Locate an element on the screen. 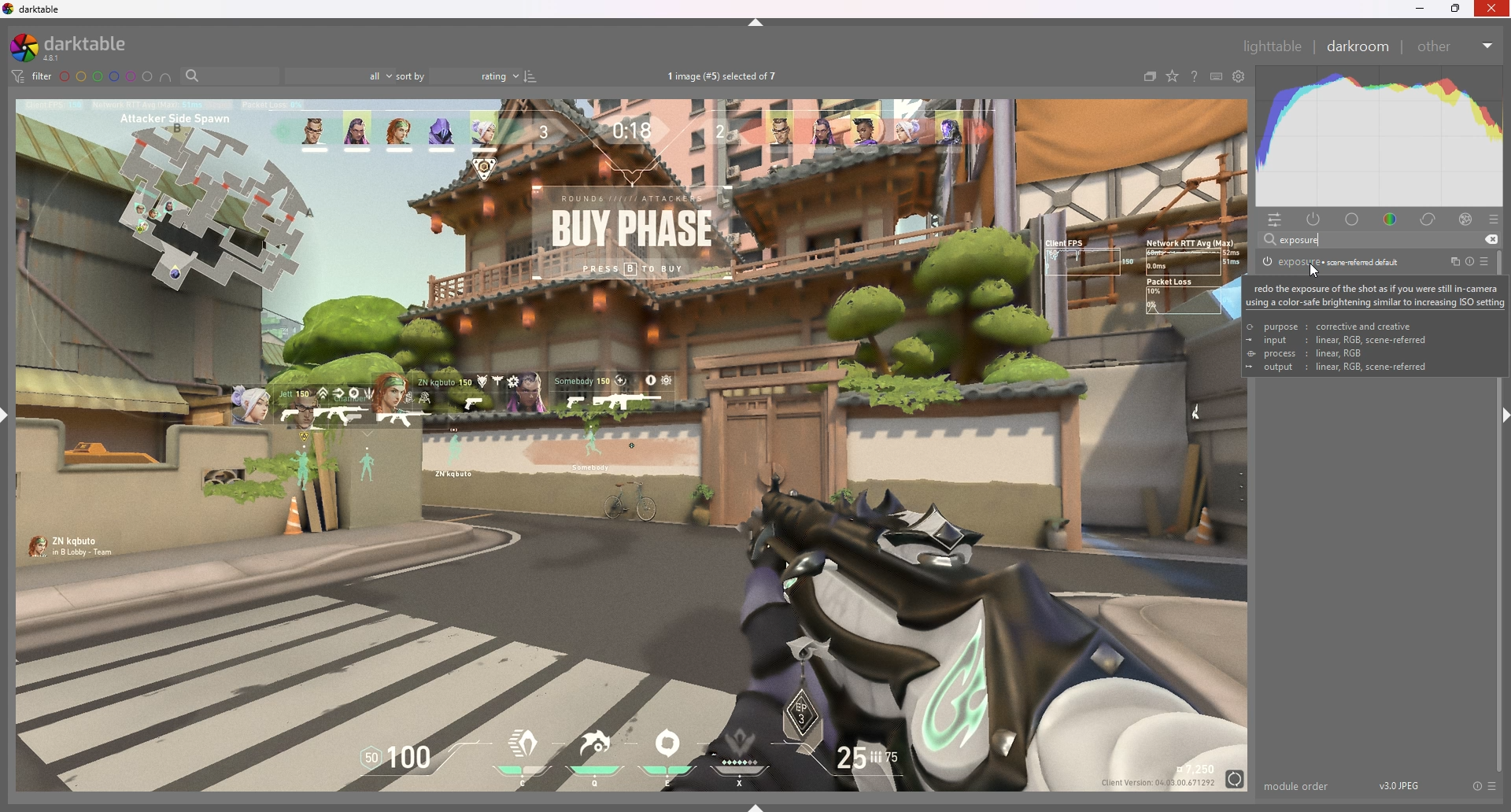  presets is located at coordinates (1493, 220).